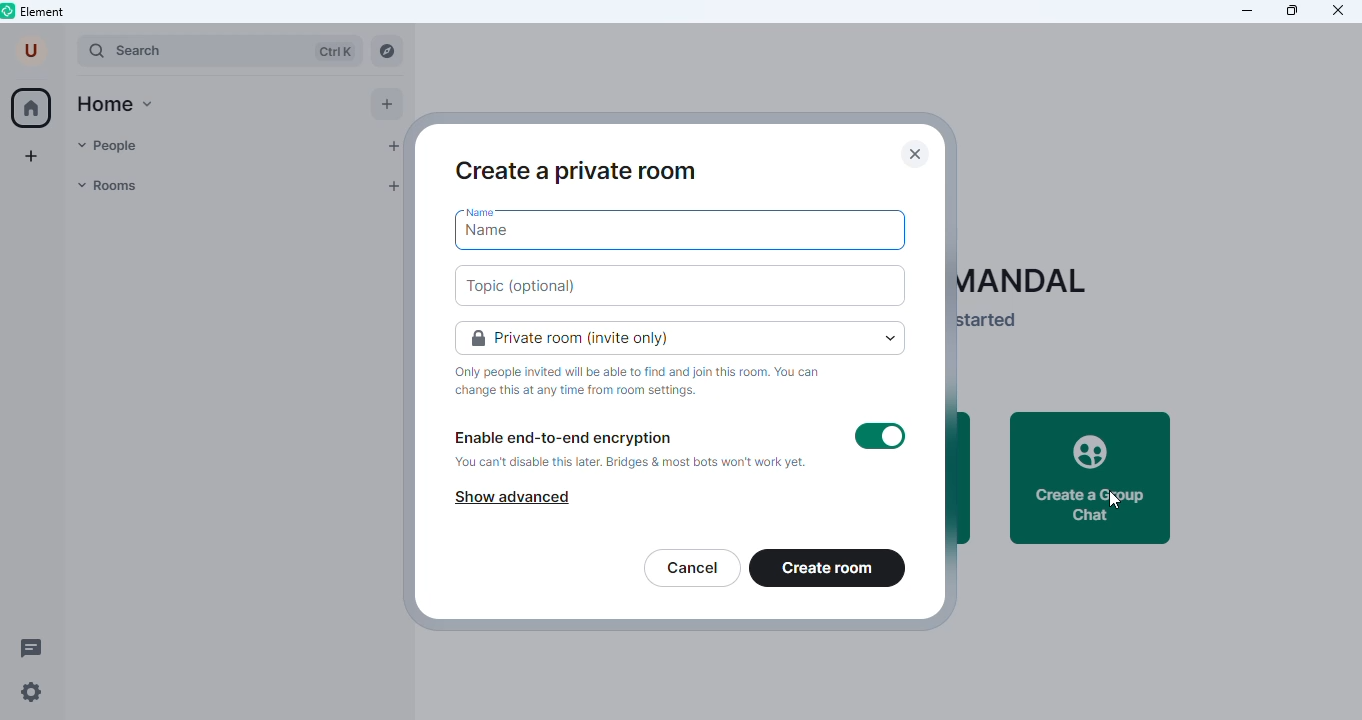 The image size is (1362, 720). What do you see at coordinates (683, 231) in the screenshot?
I see `name` at bounding box center [683, 231].